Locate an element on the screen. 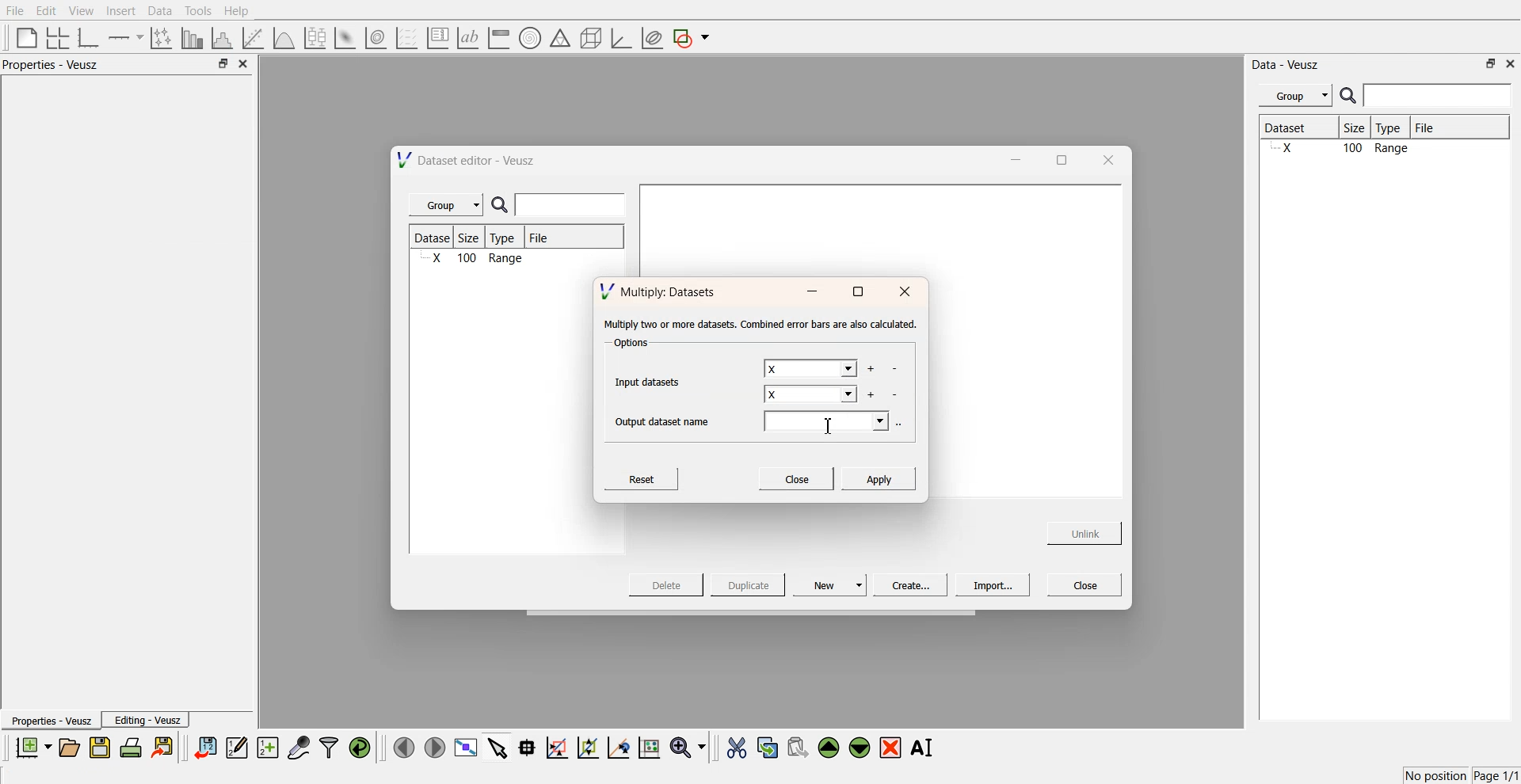  close is located at coordinates (244, 64).